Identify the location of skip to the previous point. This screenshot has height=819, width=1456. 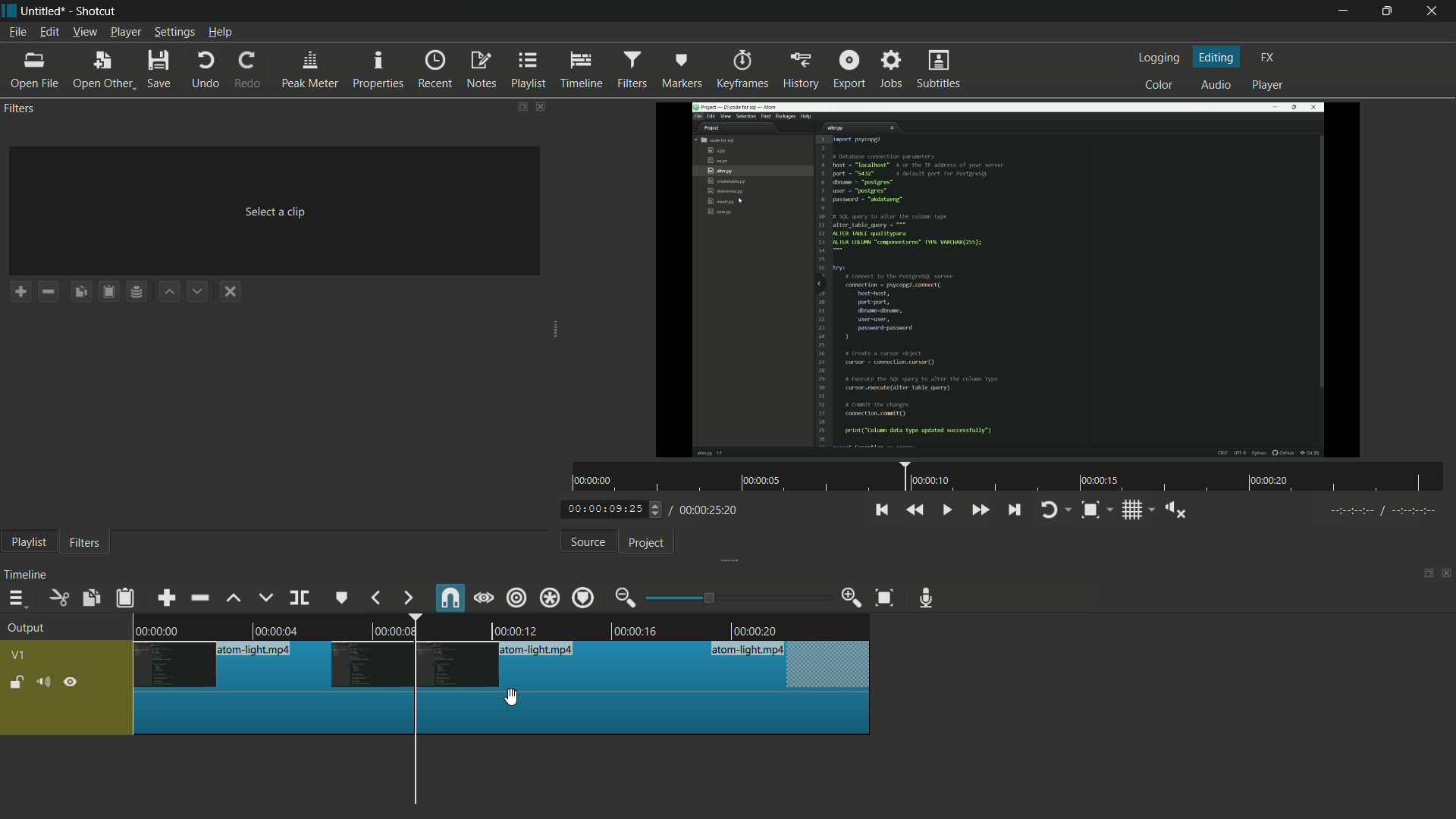
(881, 510).